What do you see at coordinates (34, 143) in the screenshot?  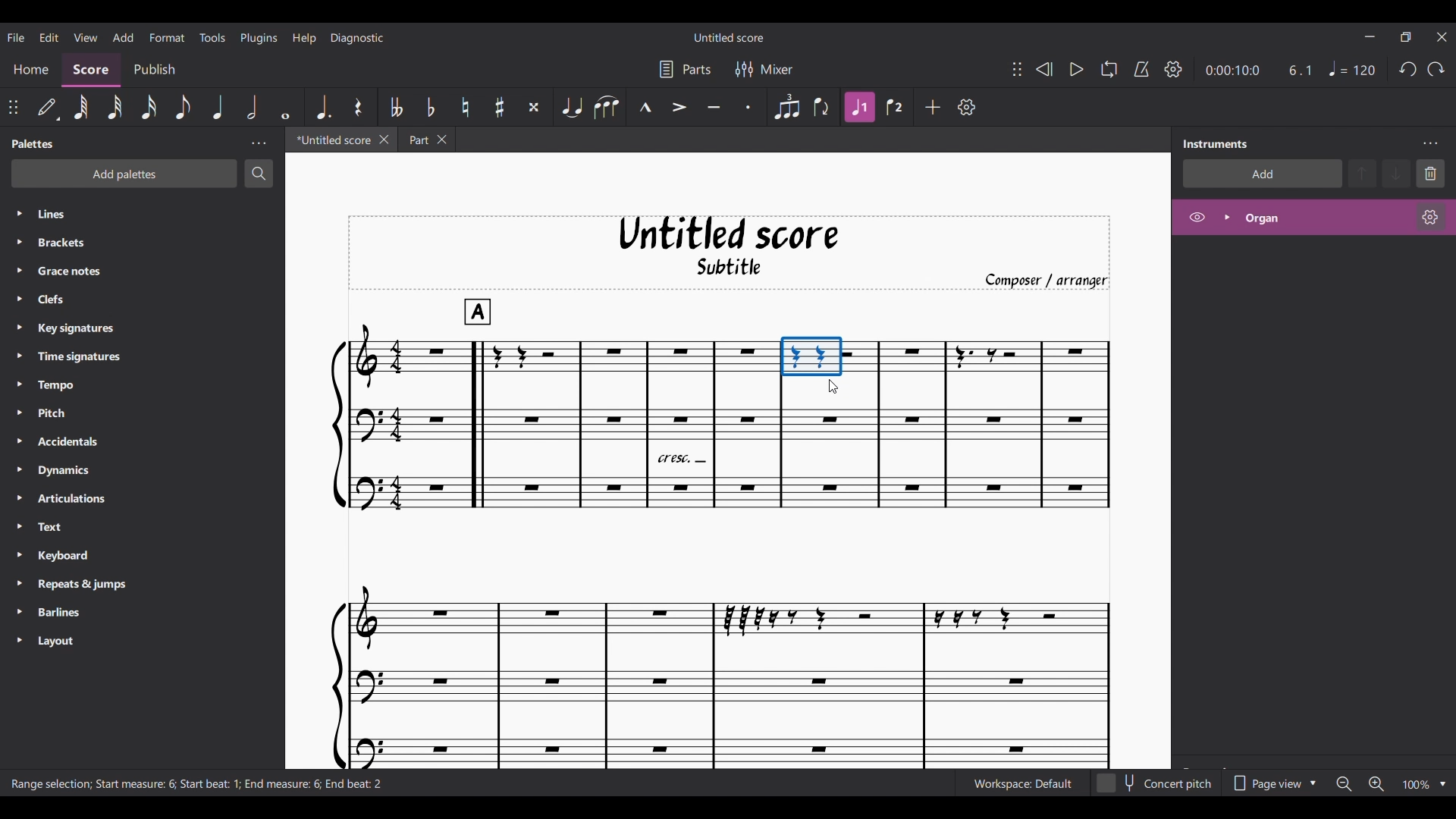 I see `Panel title` at bounding box center [34, 143].